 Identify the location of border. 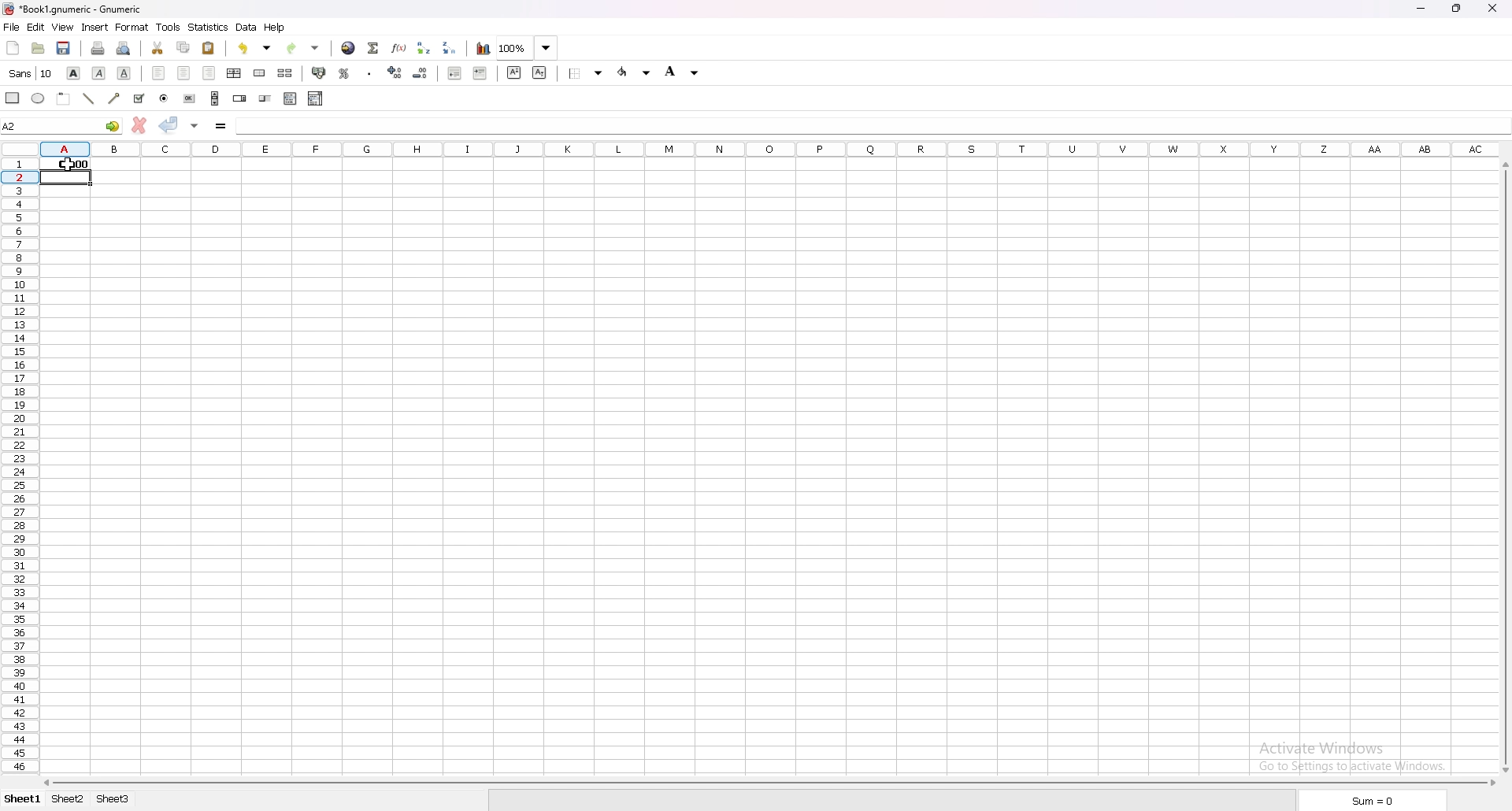
(586, 74).